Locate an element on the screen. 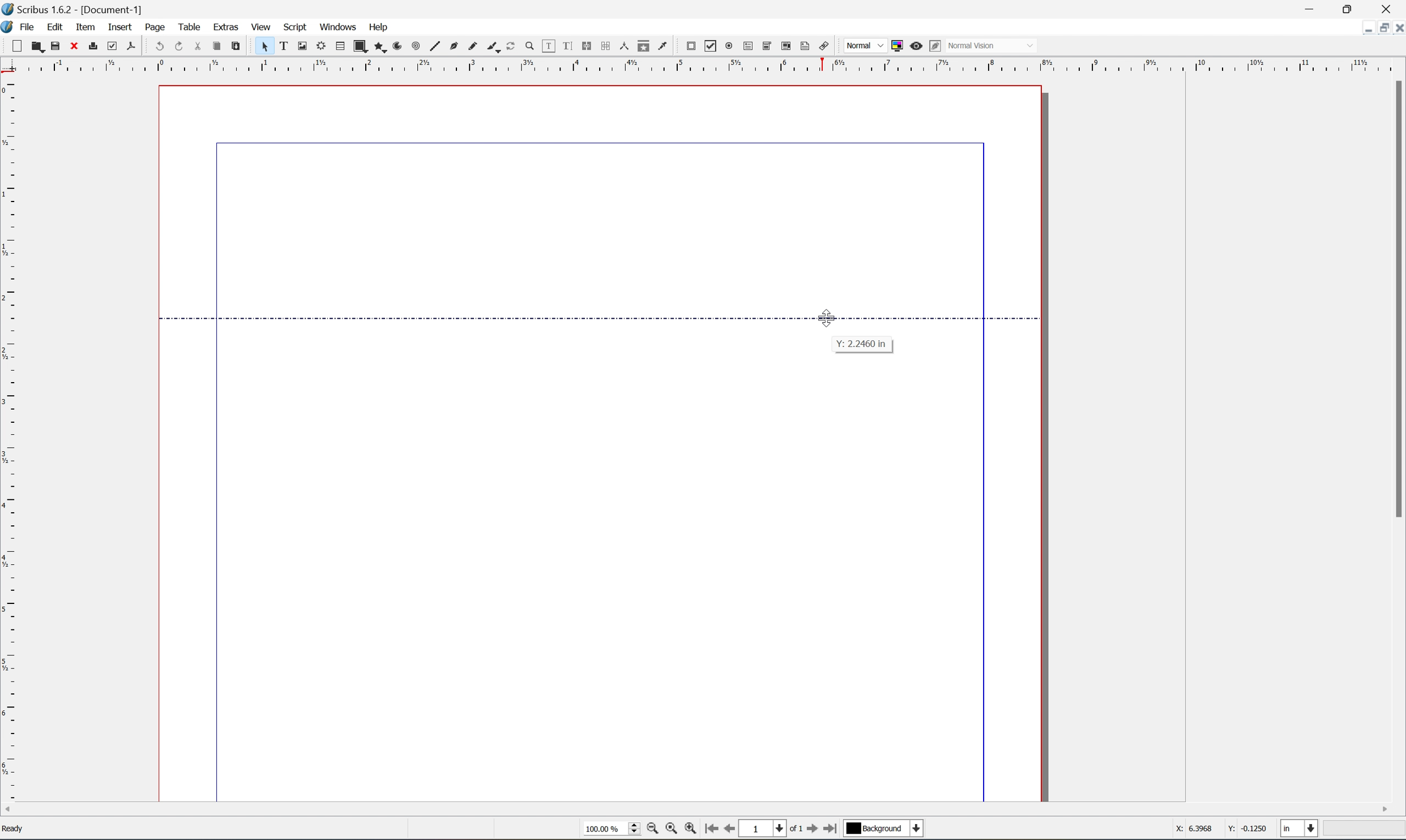 This screenshot has width=1406, height=840. edit is located at coordinates (52, 25).